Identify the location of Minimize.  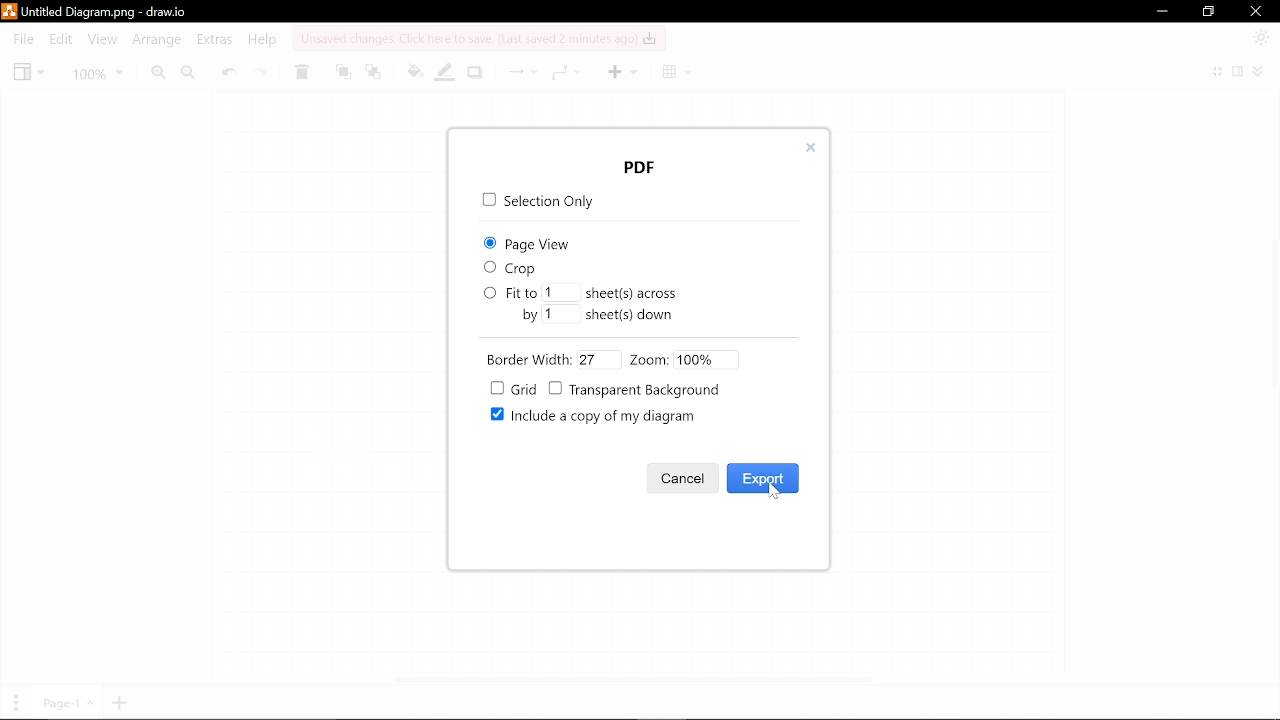
(1162, 12).